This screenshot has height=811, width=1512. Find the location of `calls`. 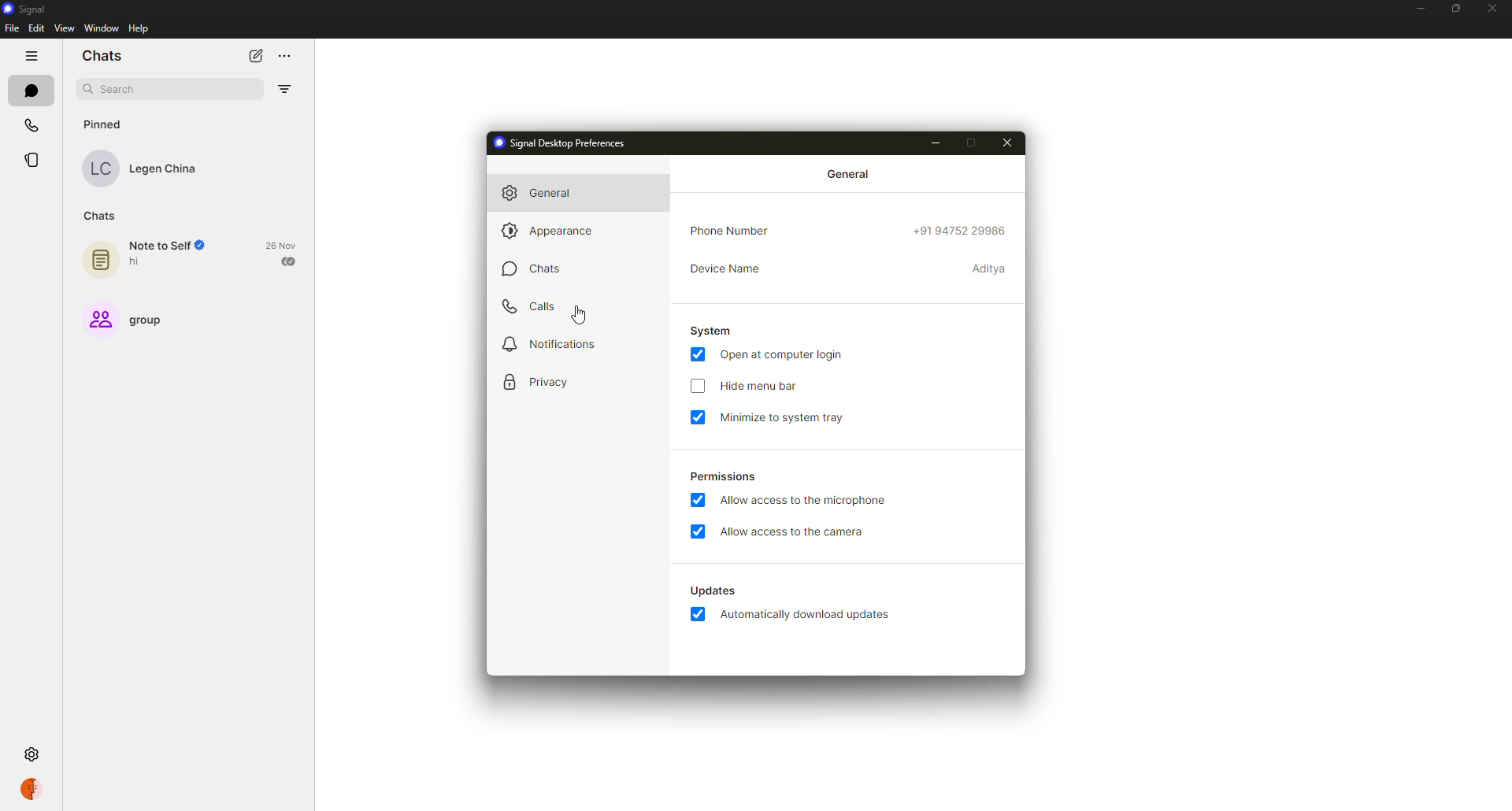

calls is located at coordinates (532, 306).